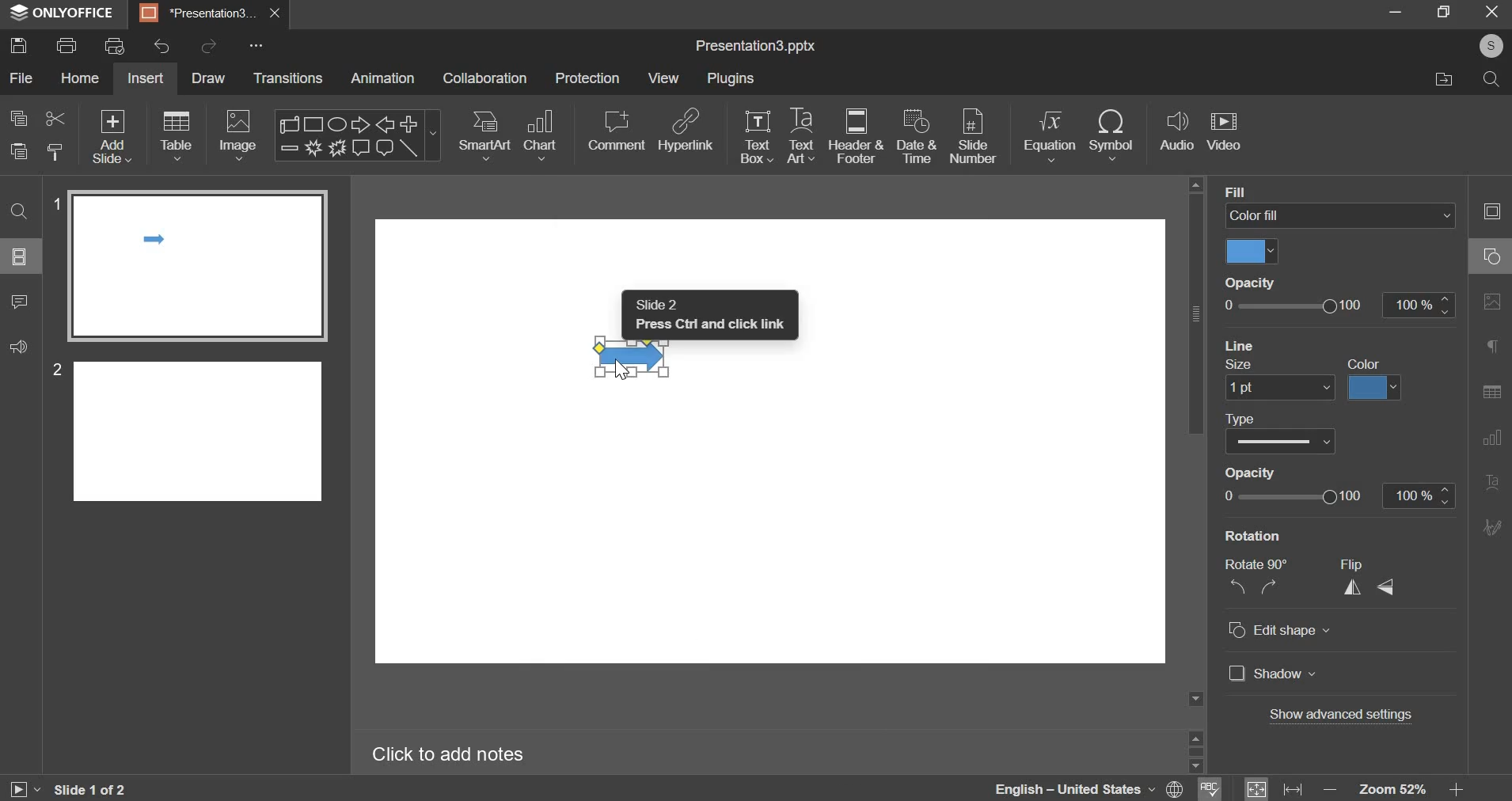 This screenshot has height=801, width=1512. I want to click on language, so click(1052, 788).